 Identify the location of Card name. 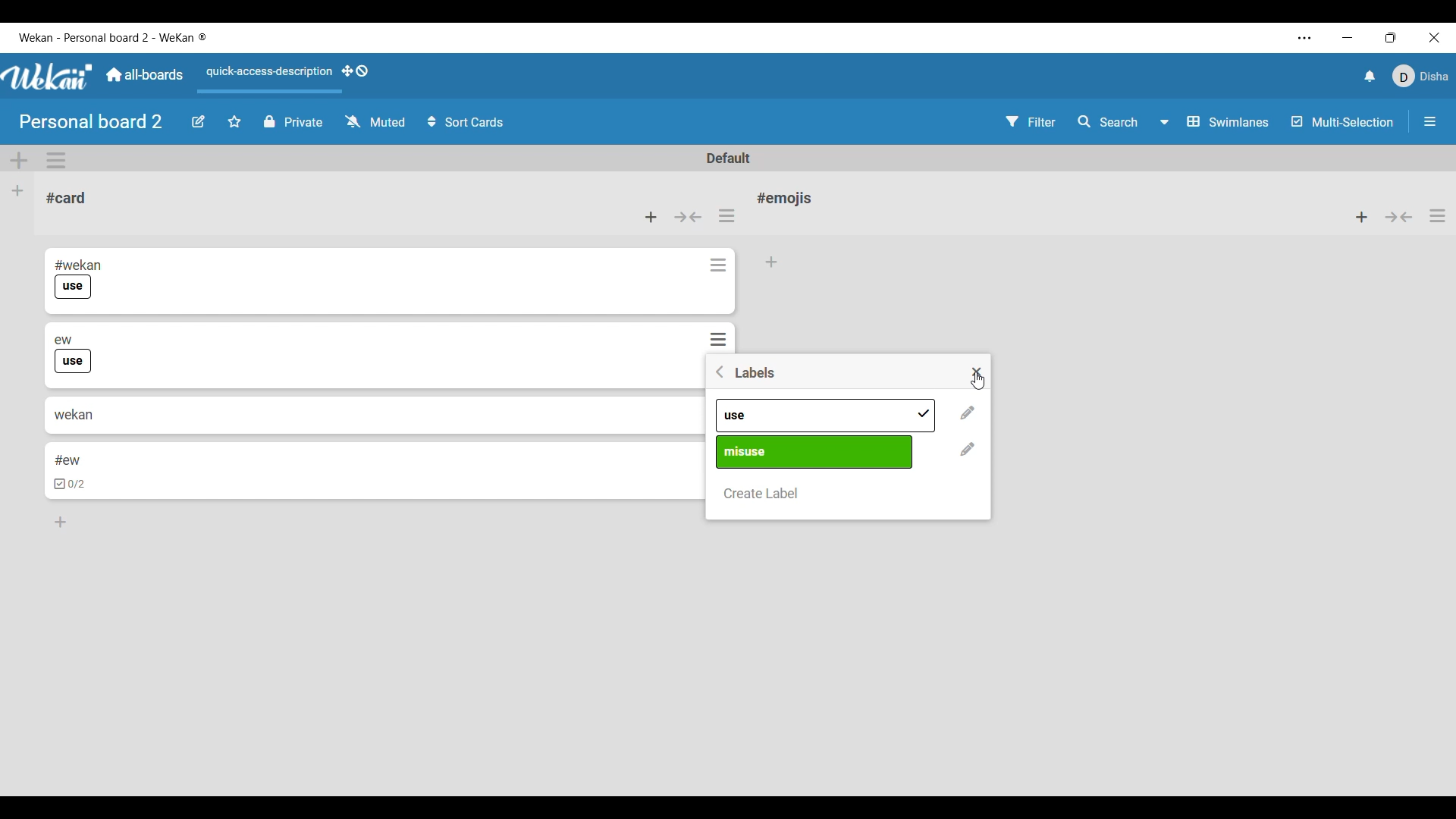
(66, 198).